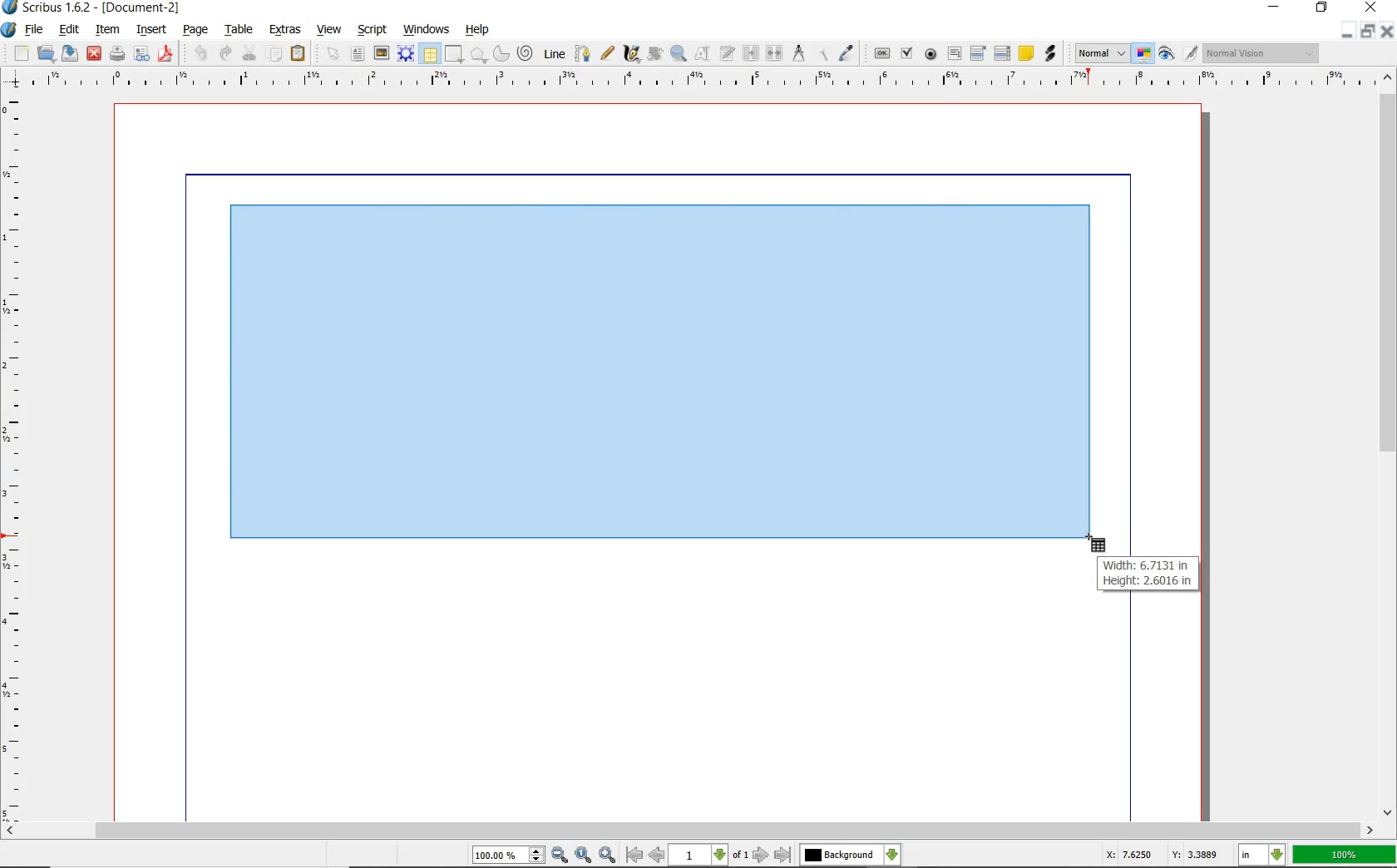 The width and height of the screenshot is (1397, 868). What do you see at coordinates (606, 856) in the screenshot?
I see `zoom in` at bounding box center [606, 856].